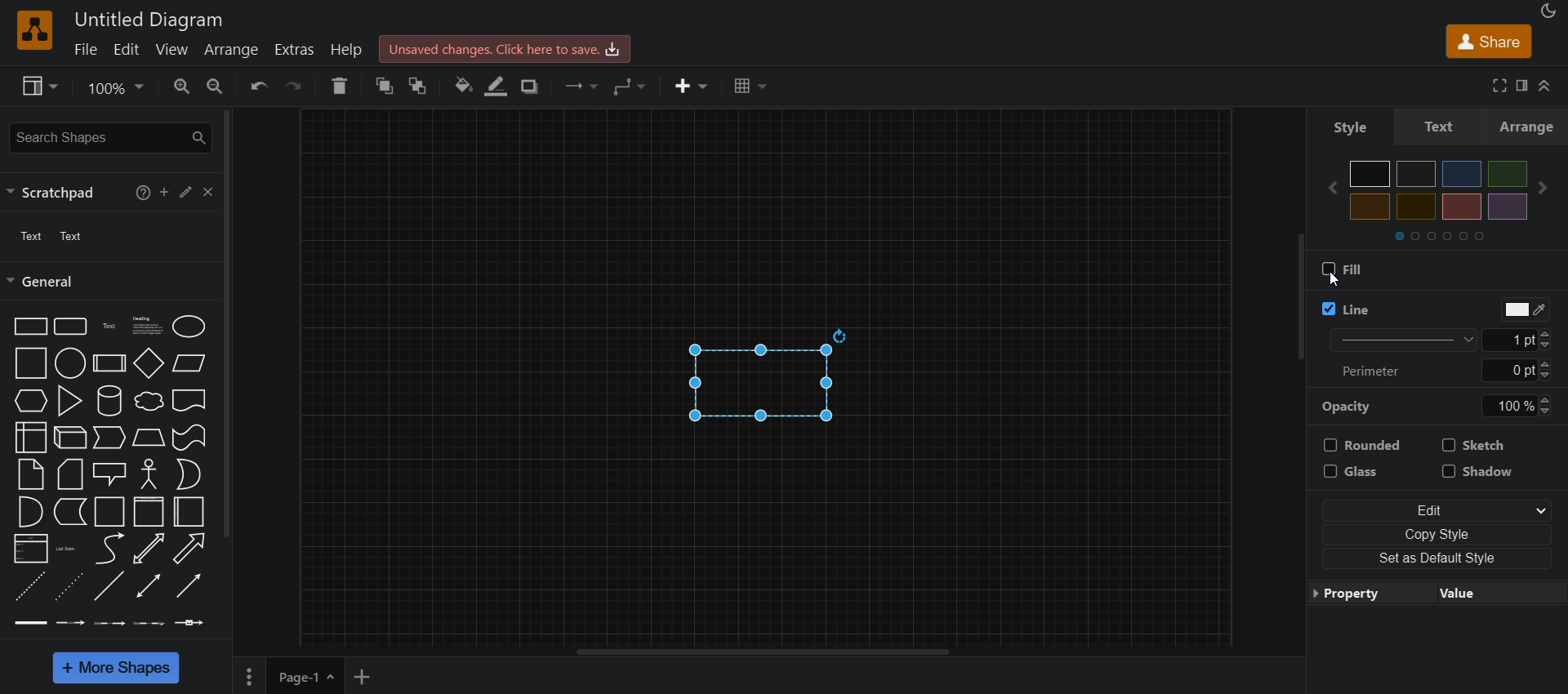  I want to click on increase perimeter, so click(1550, 364).